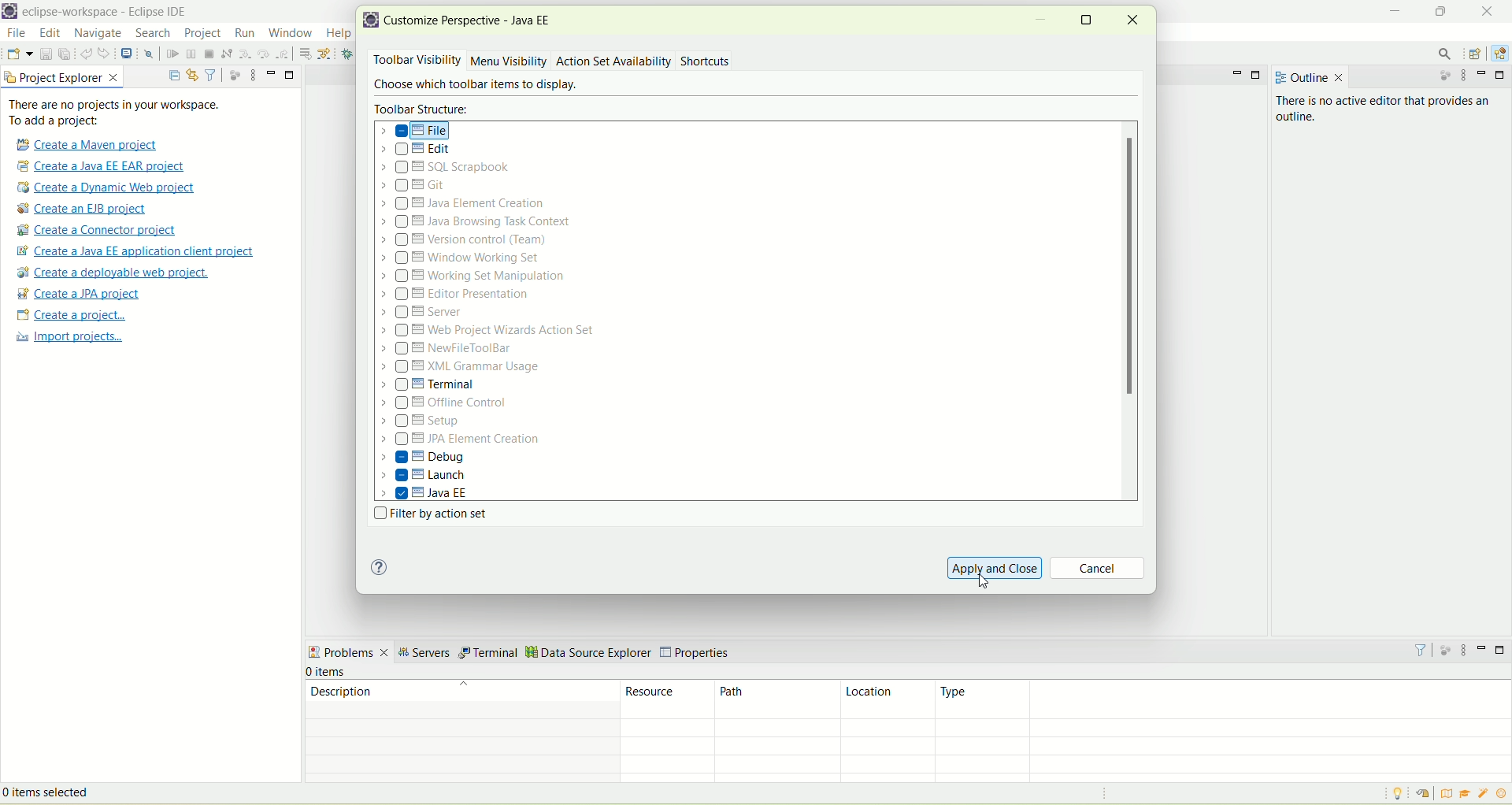 The height and width of the screenshot is (805, 1512). Describe the element at coordinates (1041, 23) in the screenshot. I see `minimize` at that location.